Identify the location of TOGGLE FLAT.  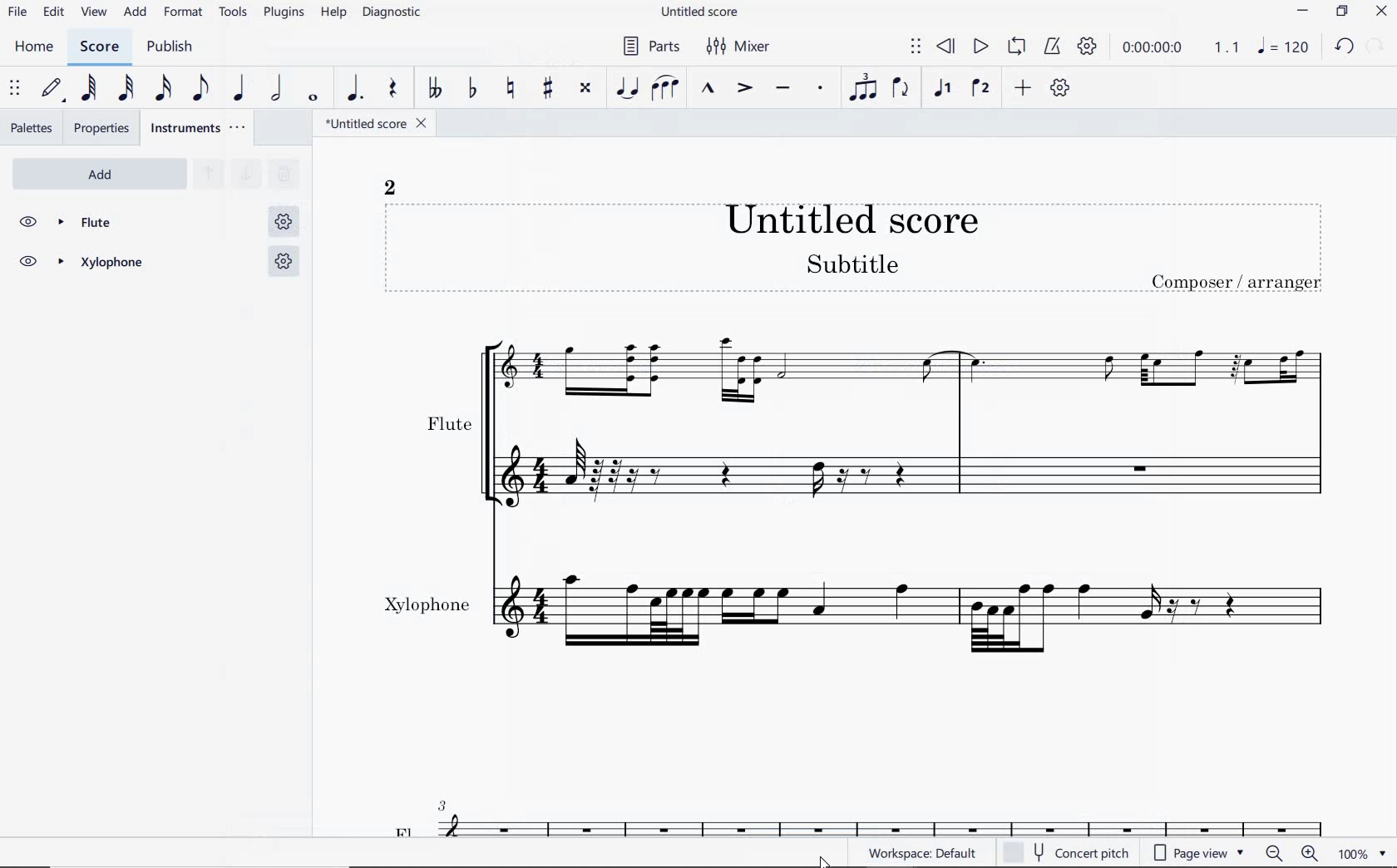
(471, 88).